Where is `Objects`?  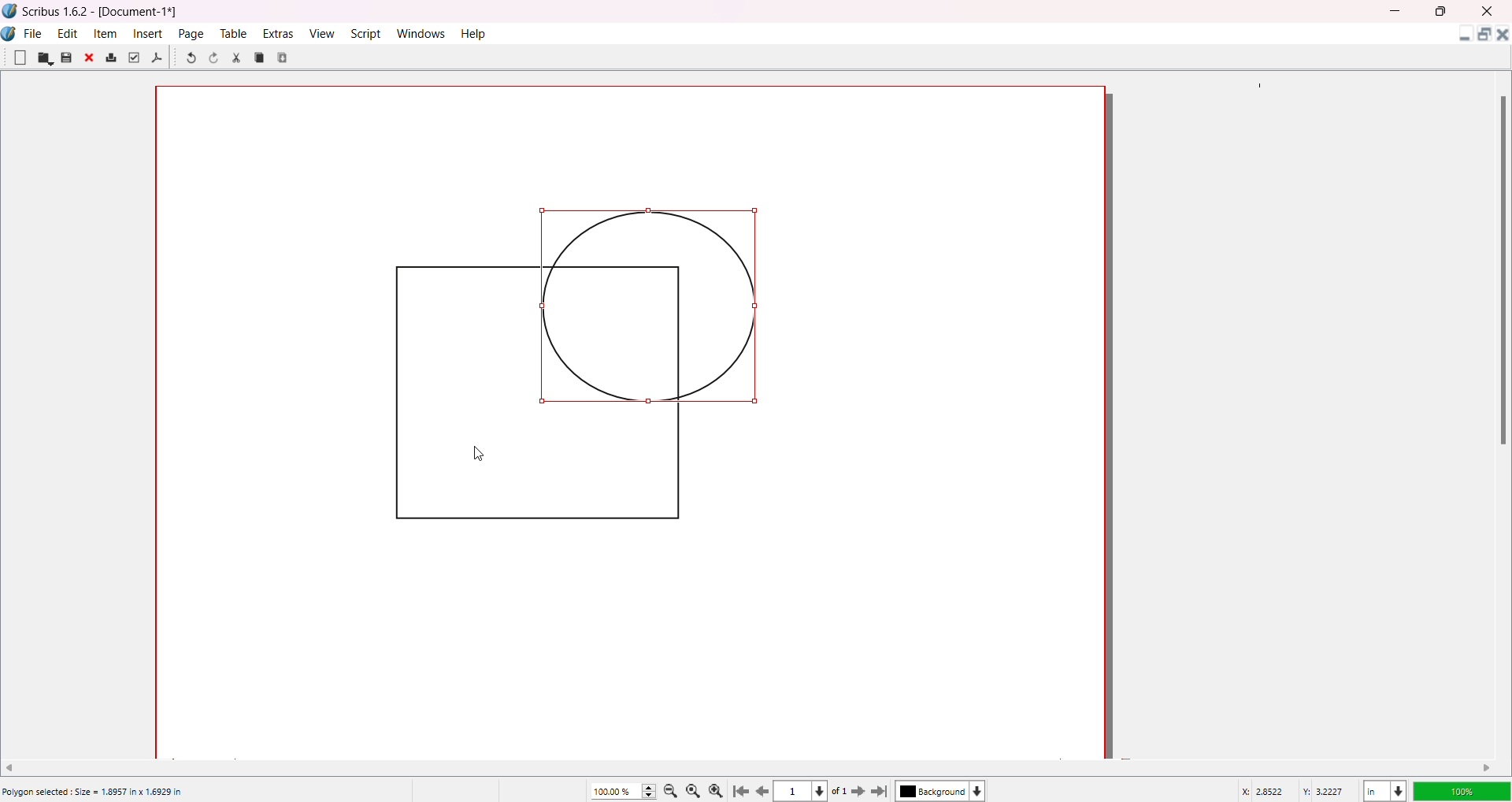
Objects is located at coordinates (548, 364).